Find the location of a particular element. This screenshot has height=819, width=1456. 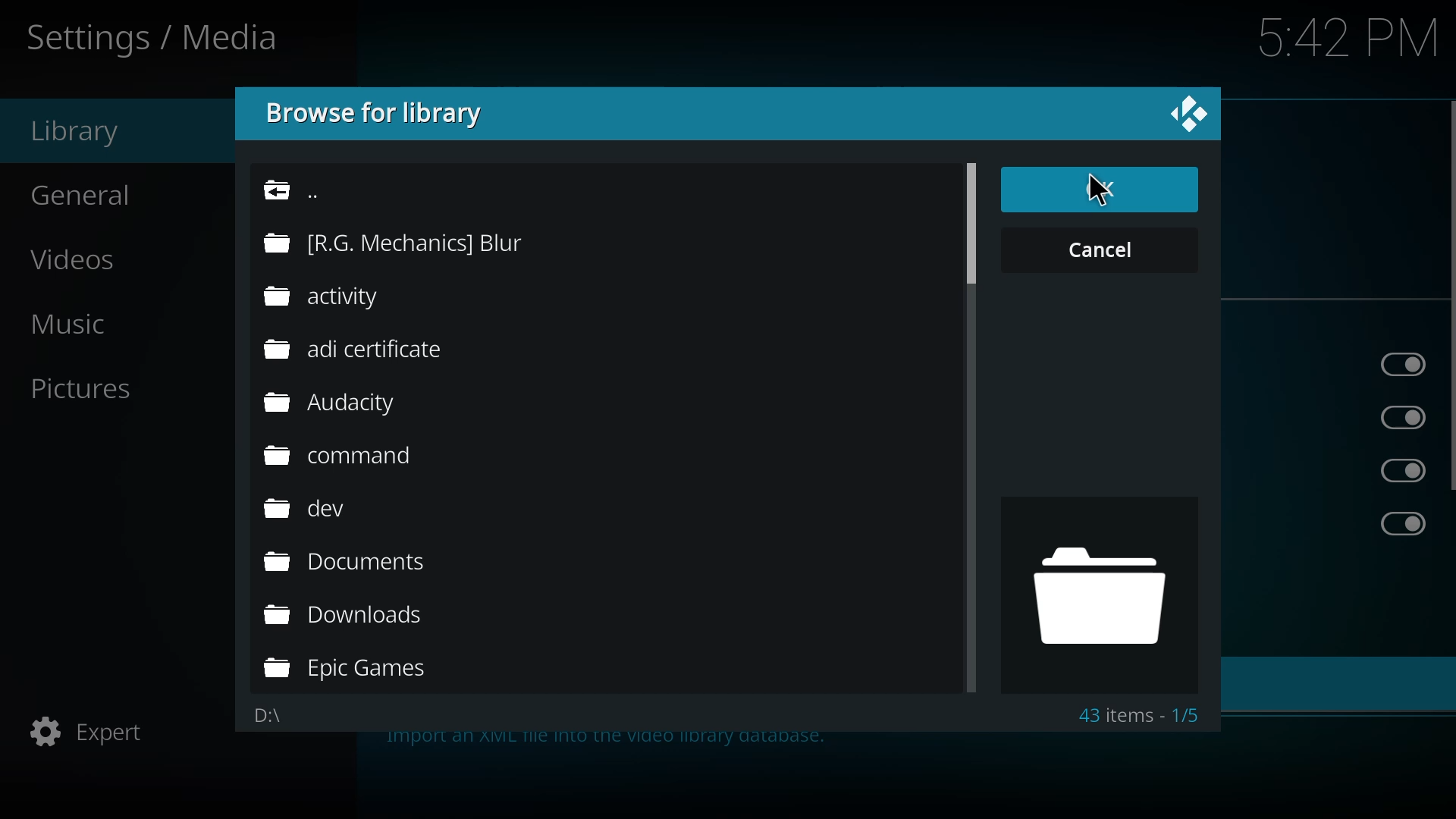

43 is located at coordinates (1139, 715).